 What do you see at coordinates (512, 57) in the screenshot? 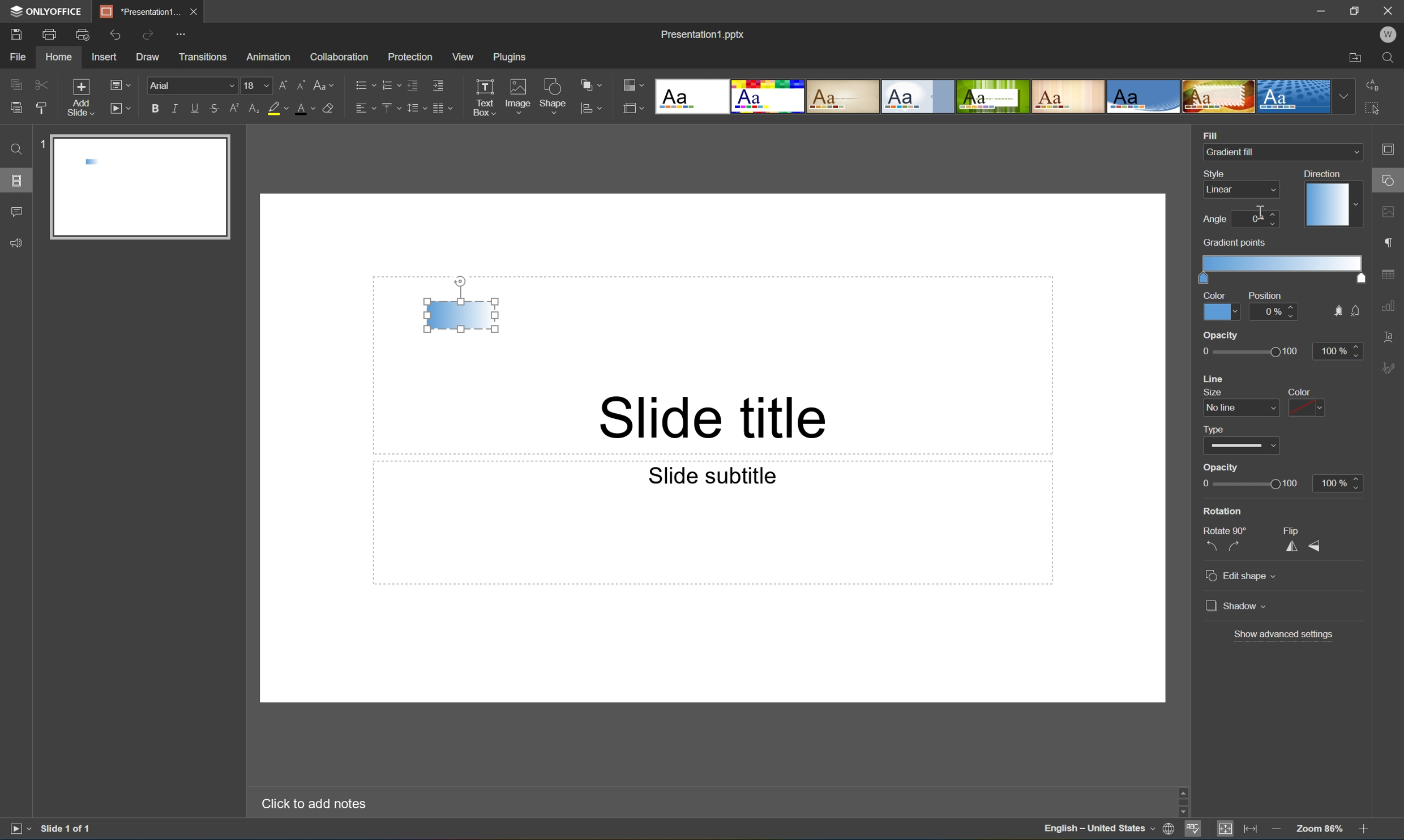
I see `Plugins` at bounding box center [512, 57].